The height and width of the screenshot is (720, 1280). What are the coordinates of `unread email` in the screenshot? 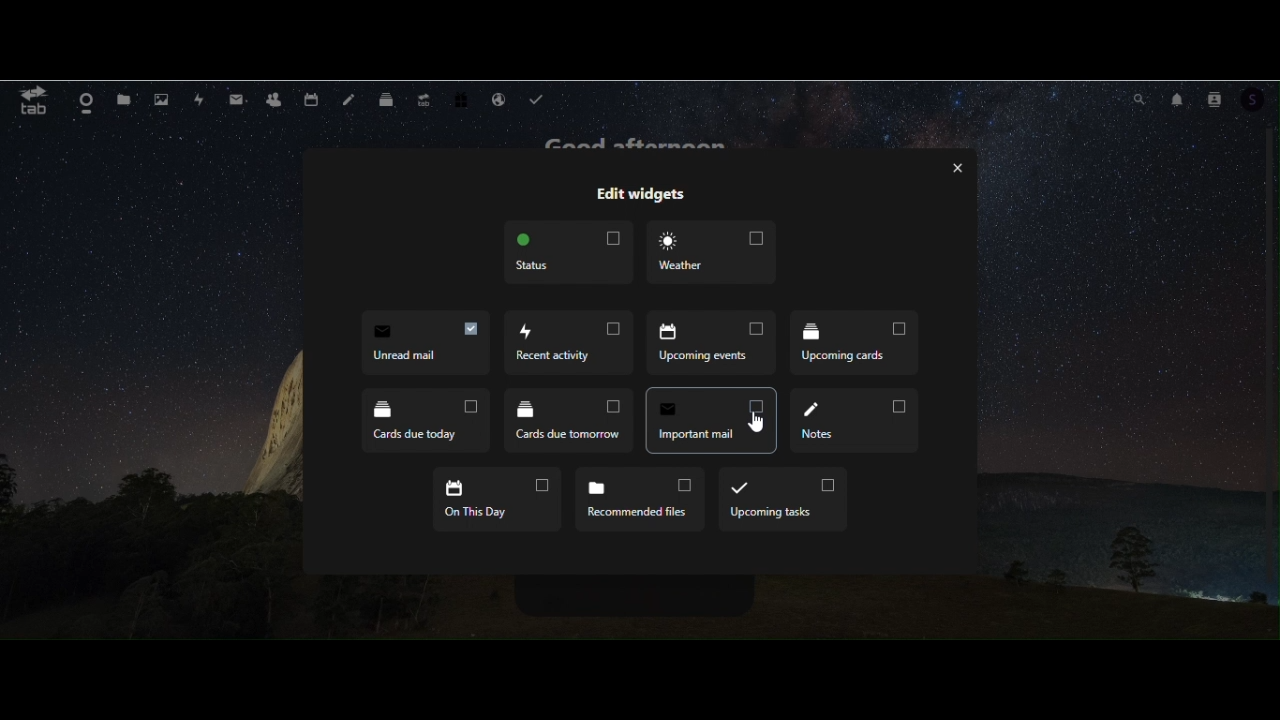 It's located at (712, 419).